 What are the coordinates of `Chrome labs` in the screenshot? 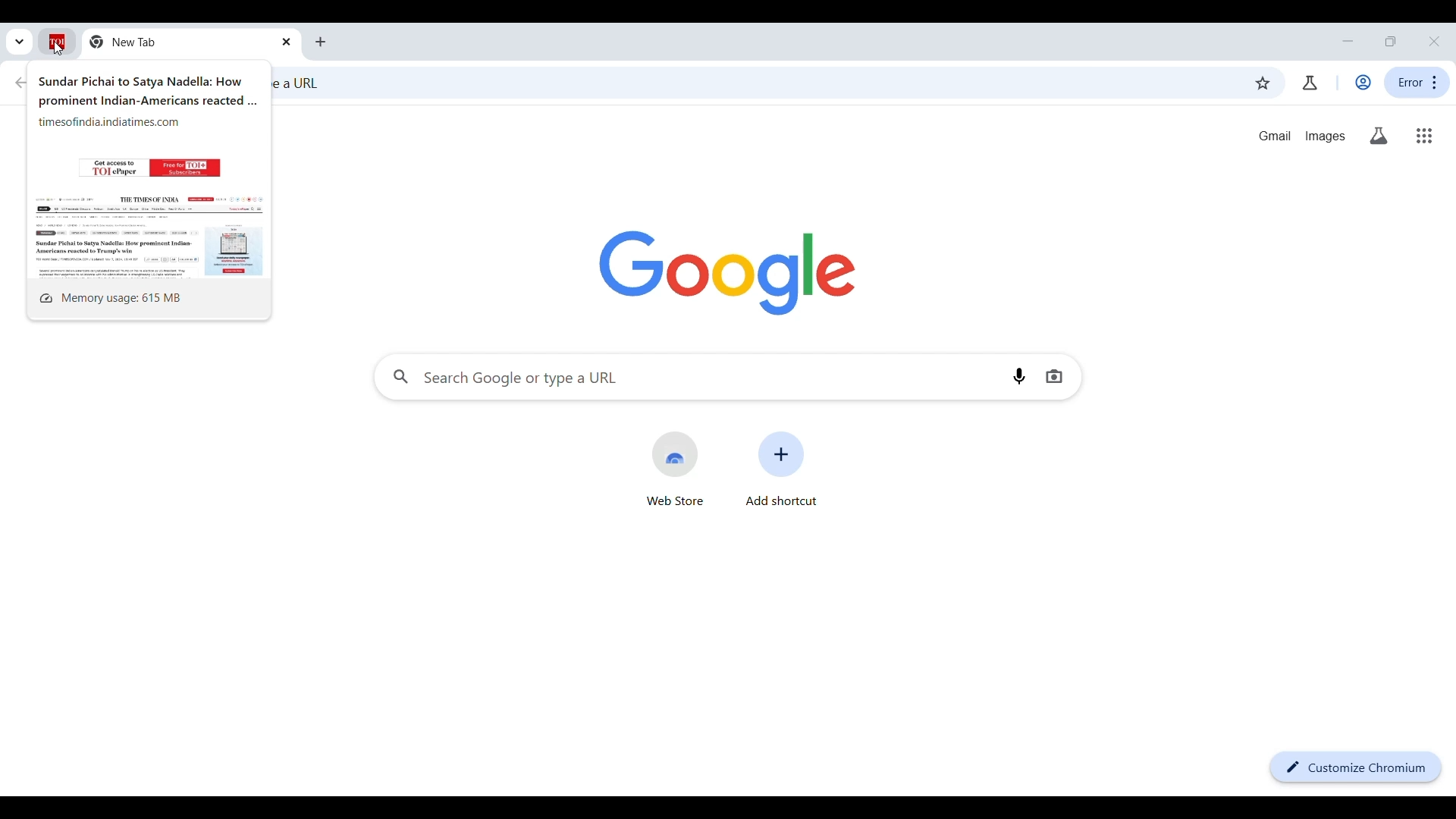 It's located at (1310, 83).